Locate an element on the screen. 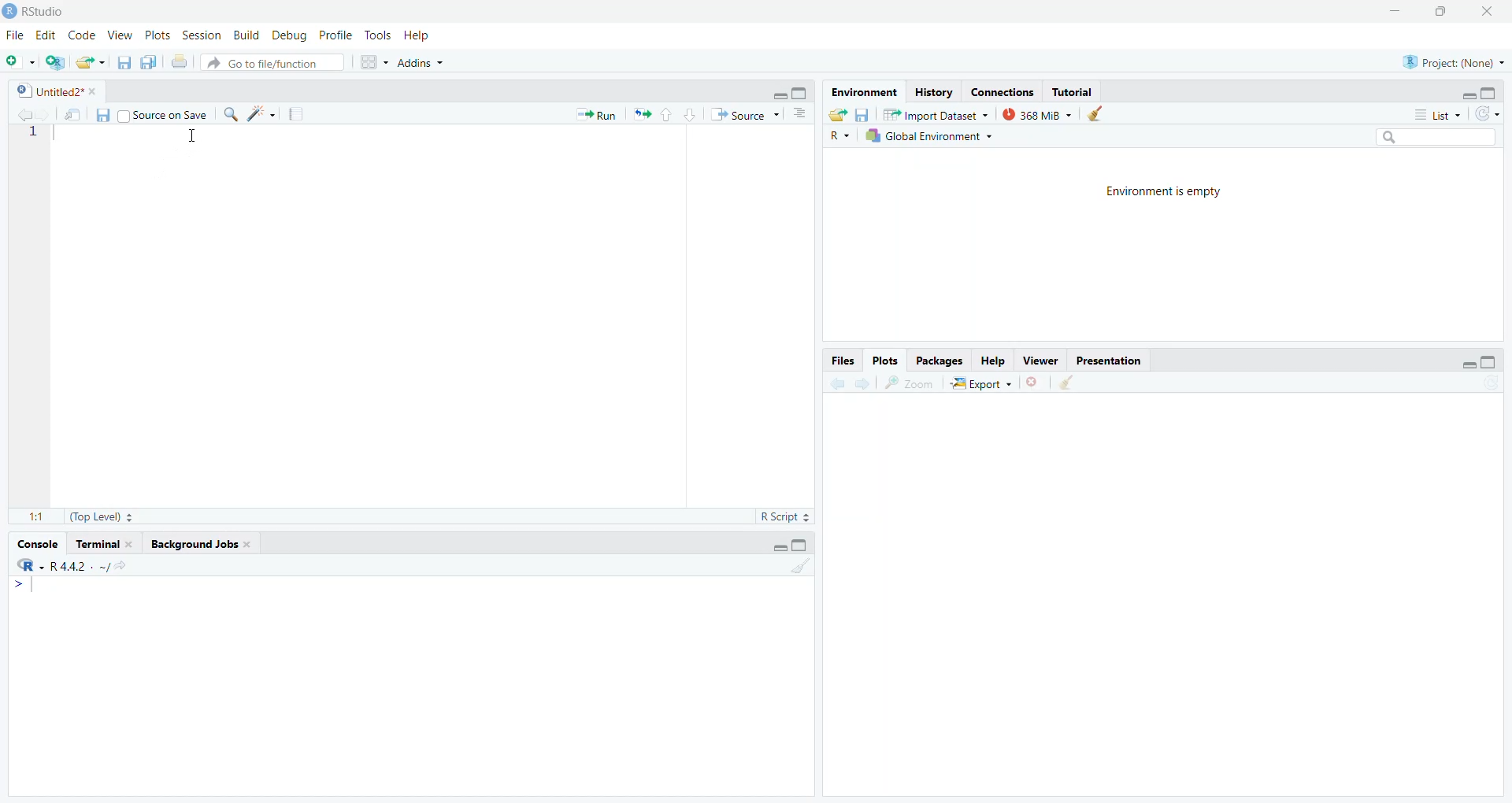 This screenshot has width=1512, height=803. print is located at coordinates (181, 64).